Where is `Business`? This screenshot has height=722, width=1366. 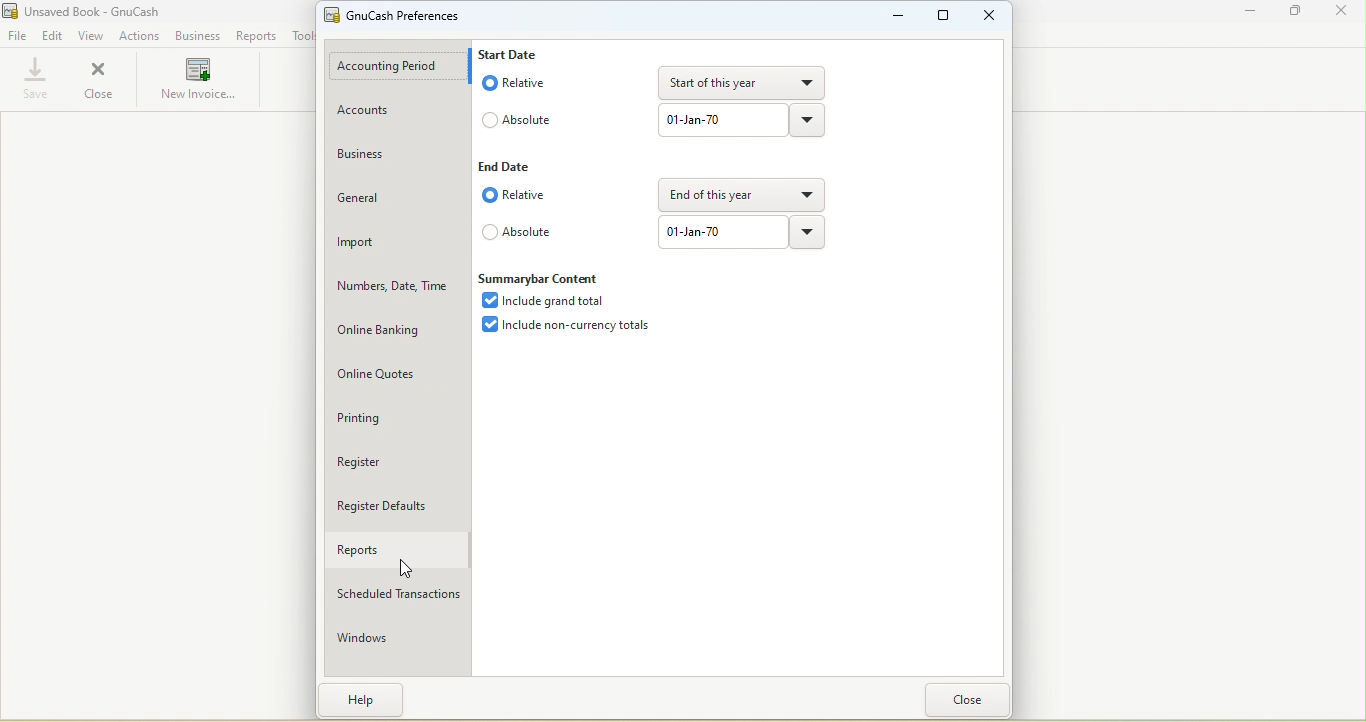 Business is located at coordinates (196, 37).